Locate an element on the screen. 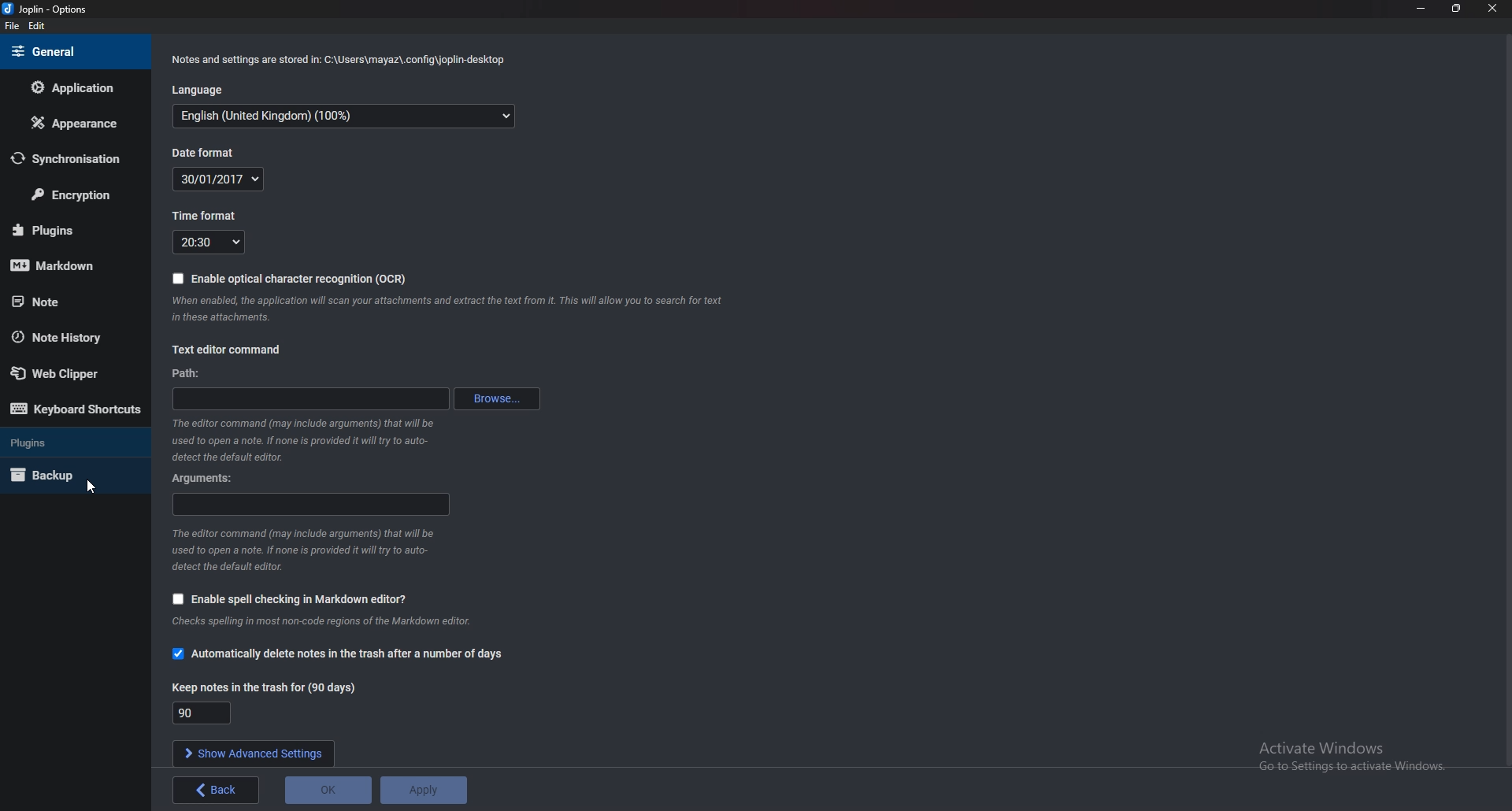 This screenshot has width=1512, height=811. Appearance is located at coordinates (70, 124).